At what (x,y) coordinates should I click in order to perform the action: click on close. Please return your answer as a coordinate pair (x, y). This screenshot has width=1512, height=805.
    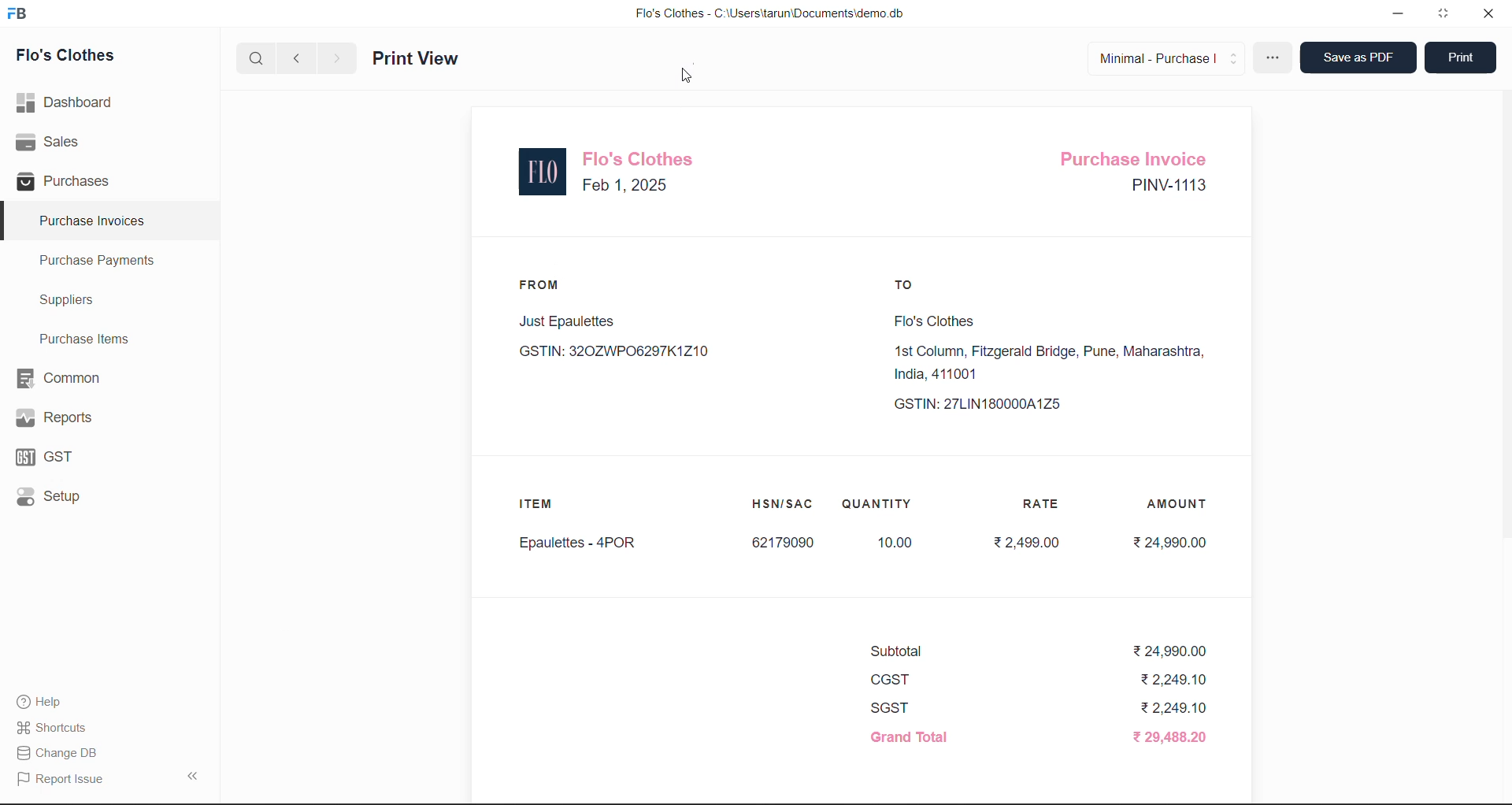
    Looking at the image, I should click on (1488, 17).